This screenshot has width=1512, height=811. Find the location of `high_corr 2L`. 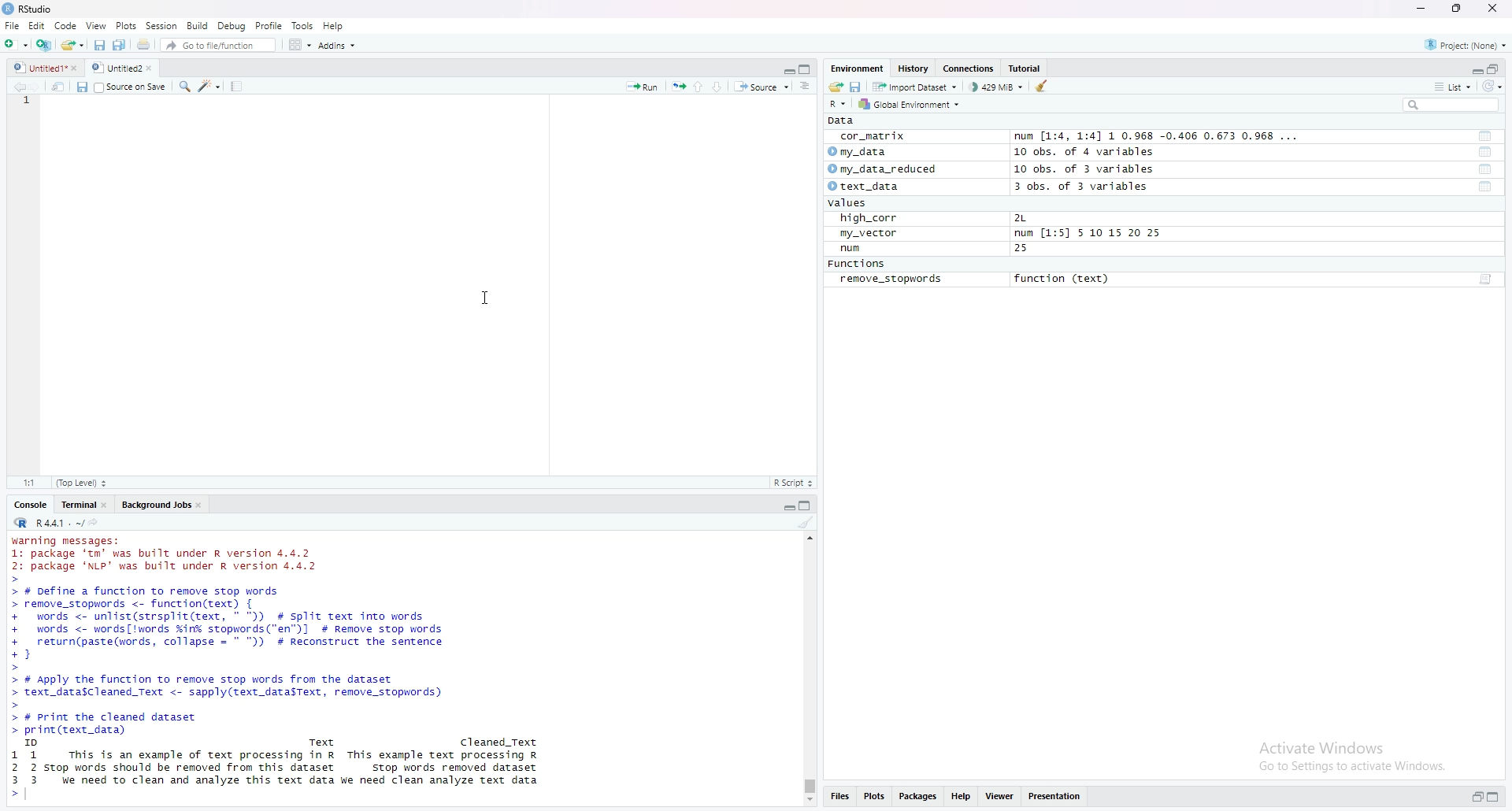

high_corr 2L is located at coordinates (934, 217).